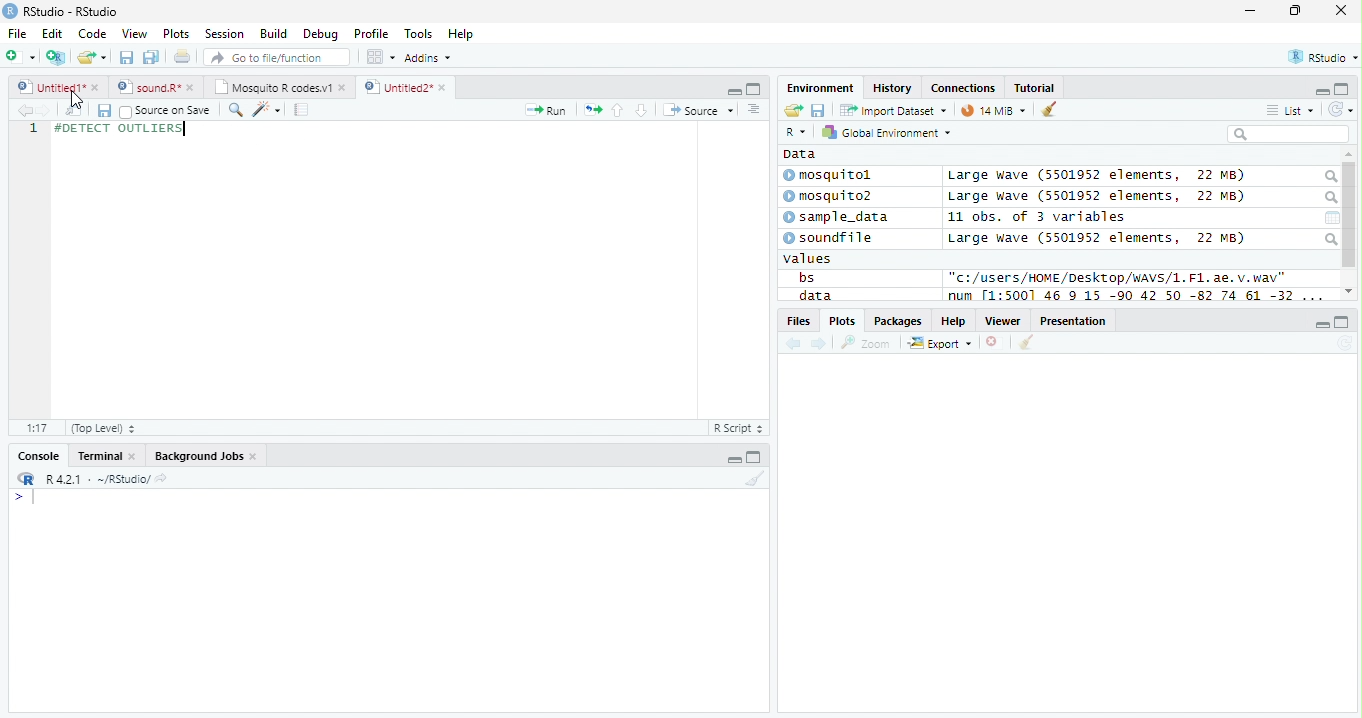 This screenshot has width=1362, height=718. I want to click on Session, so click(224, 33).